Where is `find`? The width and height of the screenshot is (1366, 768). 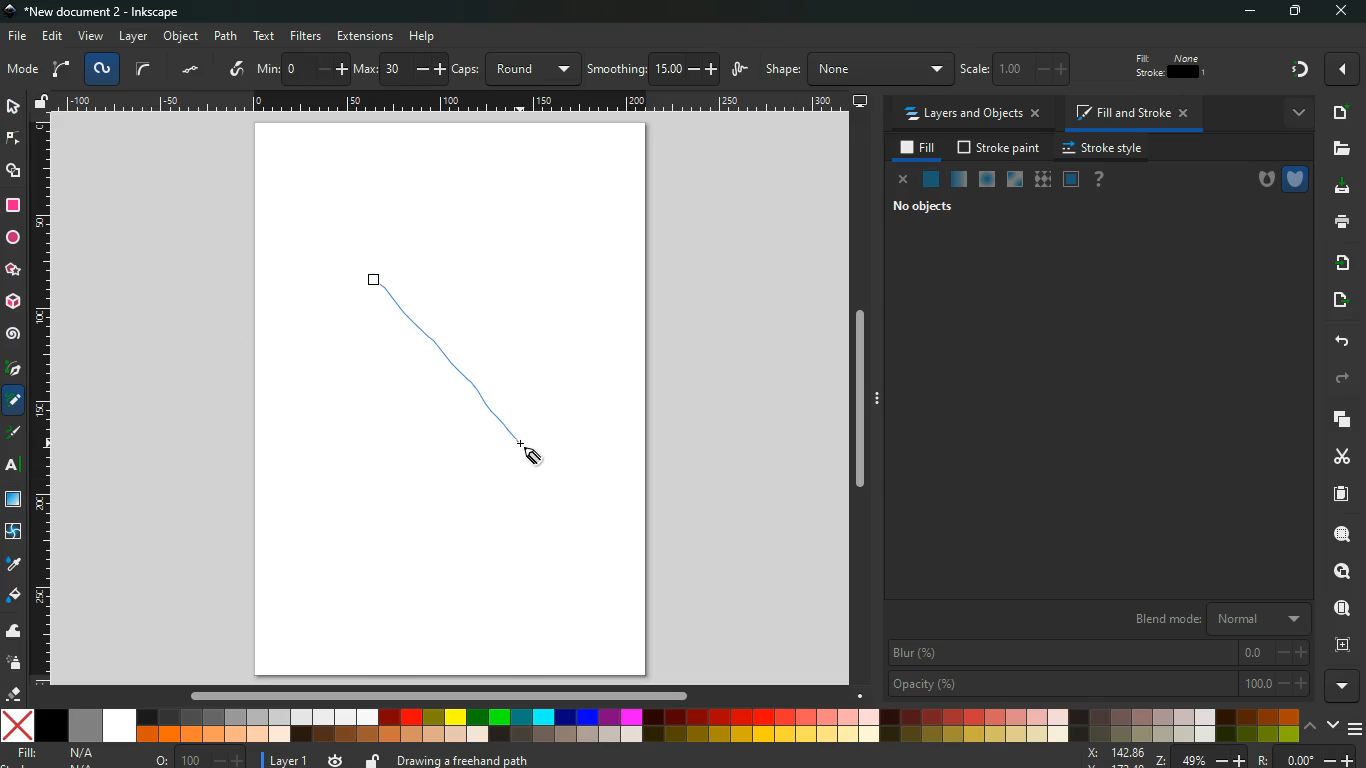
find is located at coordinates (1340, 607).